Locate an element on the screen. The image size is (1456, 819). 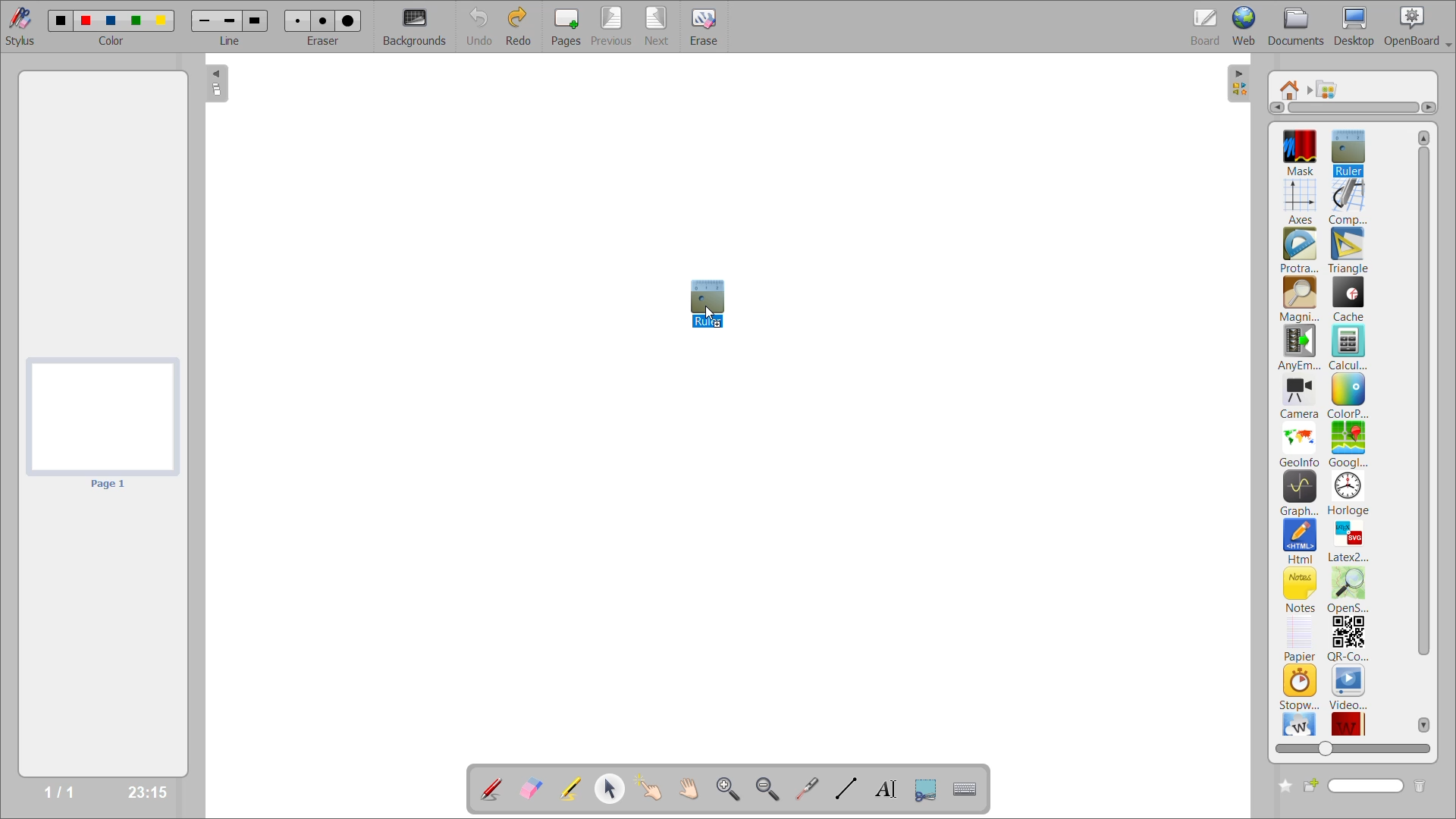
qr code is located at coordinates (1348, 639).